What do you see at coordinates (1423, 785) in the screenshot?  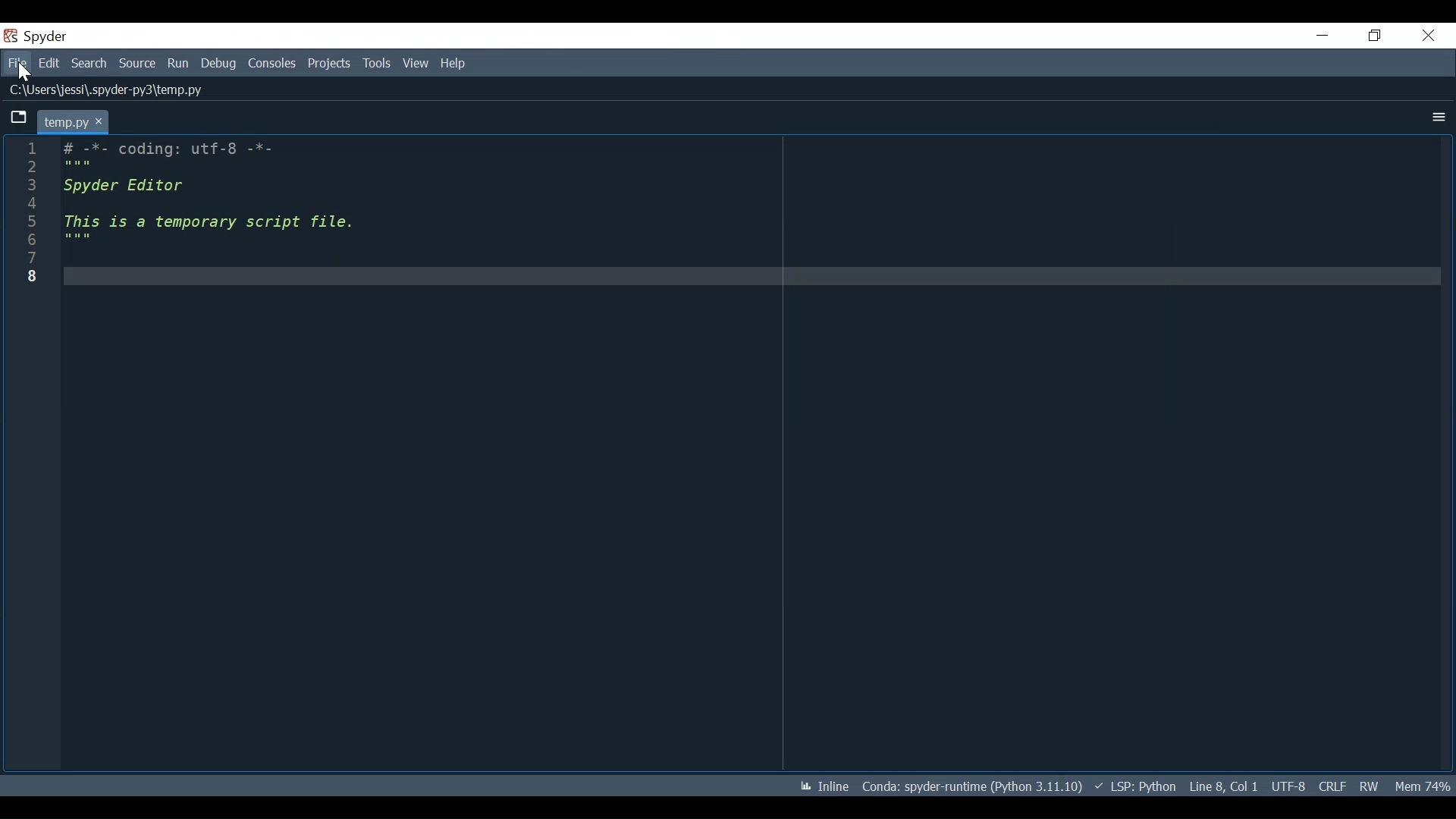 I see `Memory Usage` at bounding box center [1423, 785].